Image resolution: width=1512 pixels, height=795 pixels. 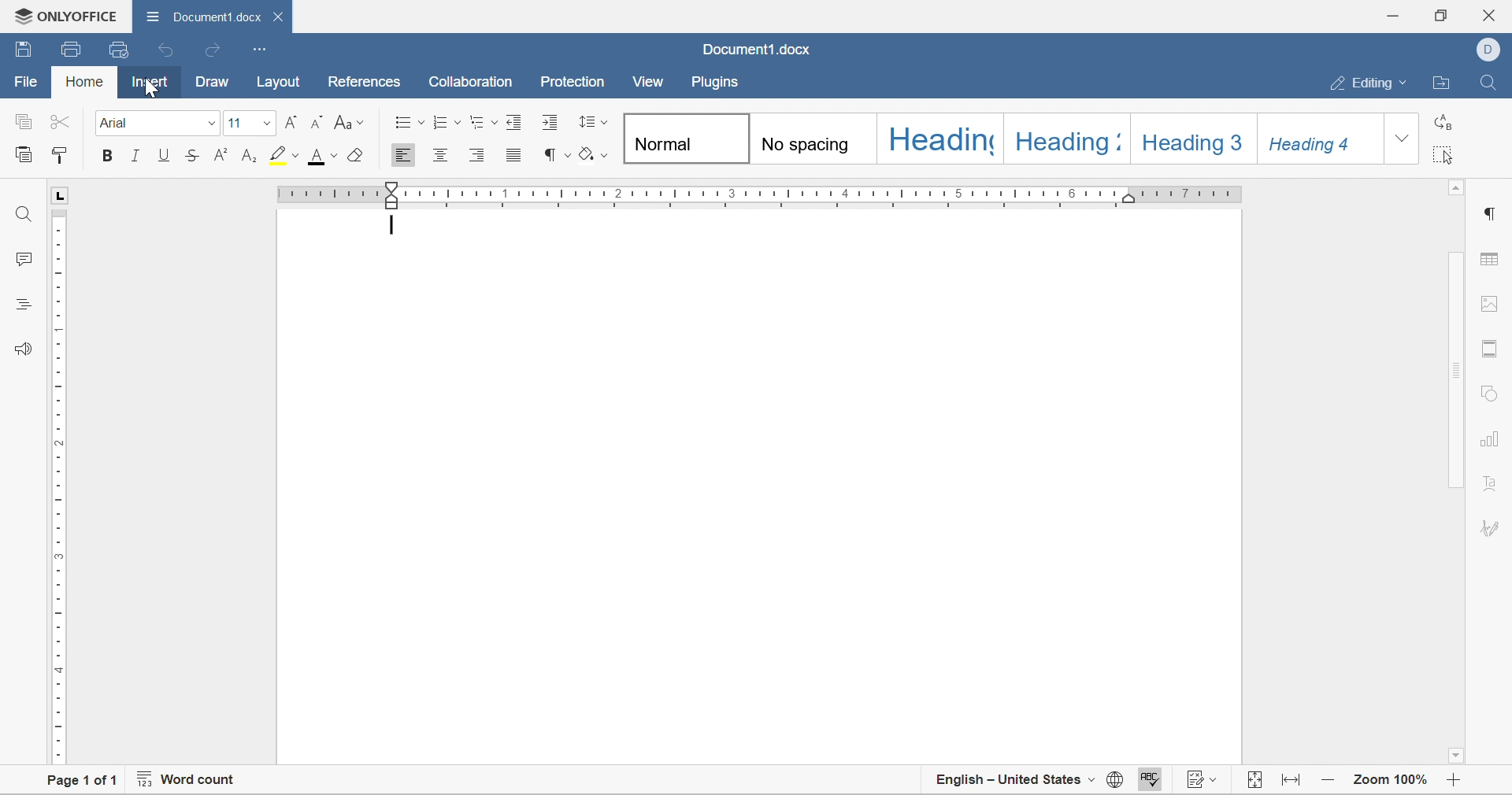 I want to click on Read Aloud or Accessibility Options, so click(x=20, y=348).